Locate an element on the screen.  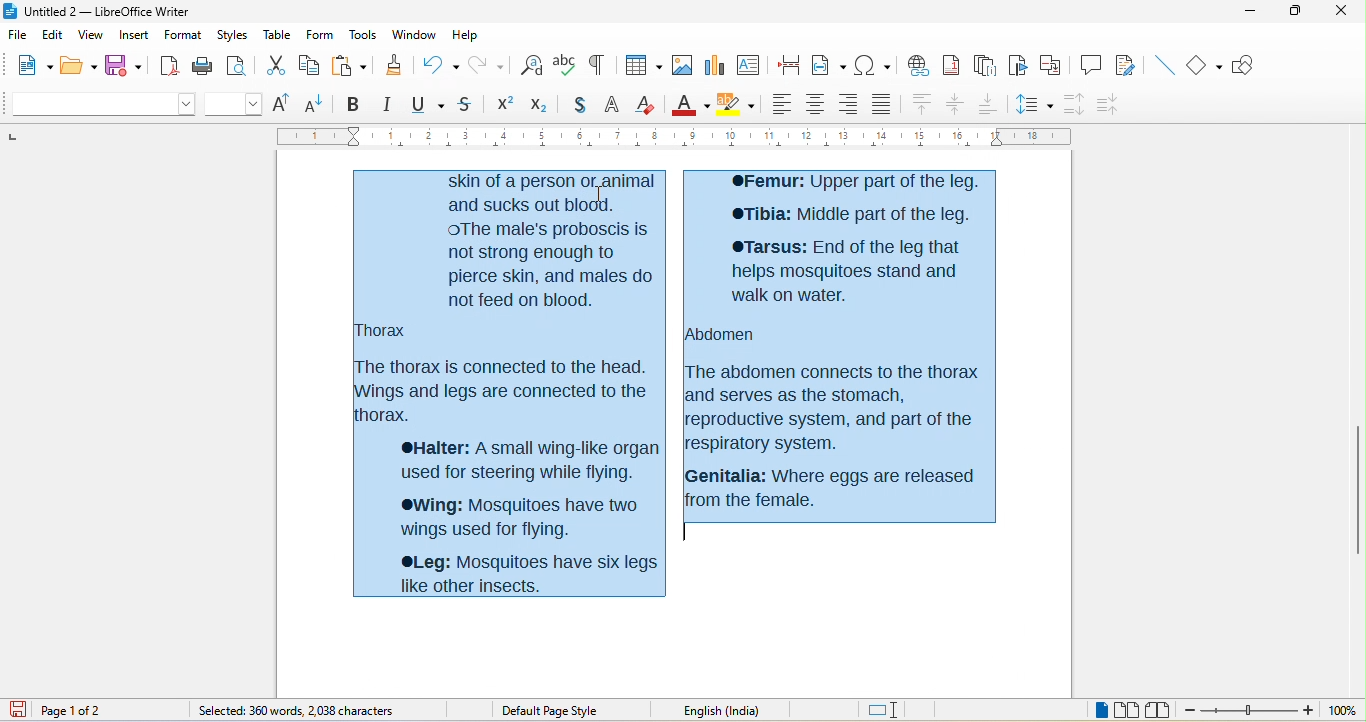
center vertically is located at coordinates (955, 104).